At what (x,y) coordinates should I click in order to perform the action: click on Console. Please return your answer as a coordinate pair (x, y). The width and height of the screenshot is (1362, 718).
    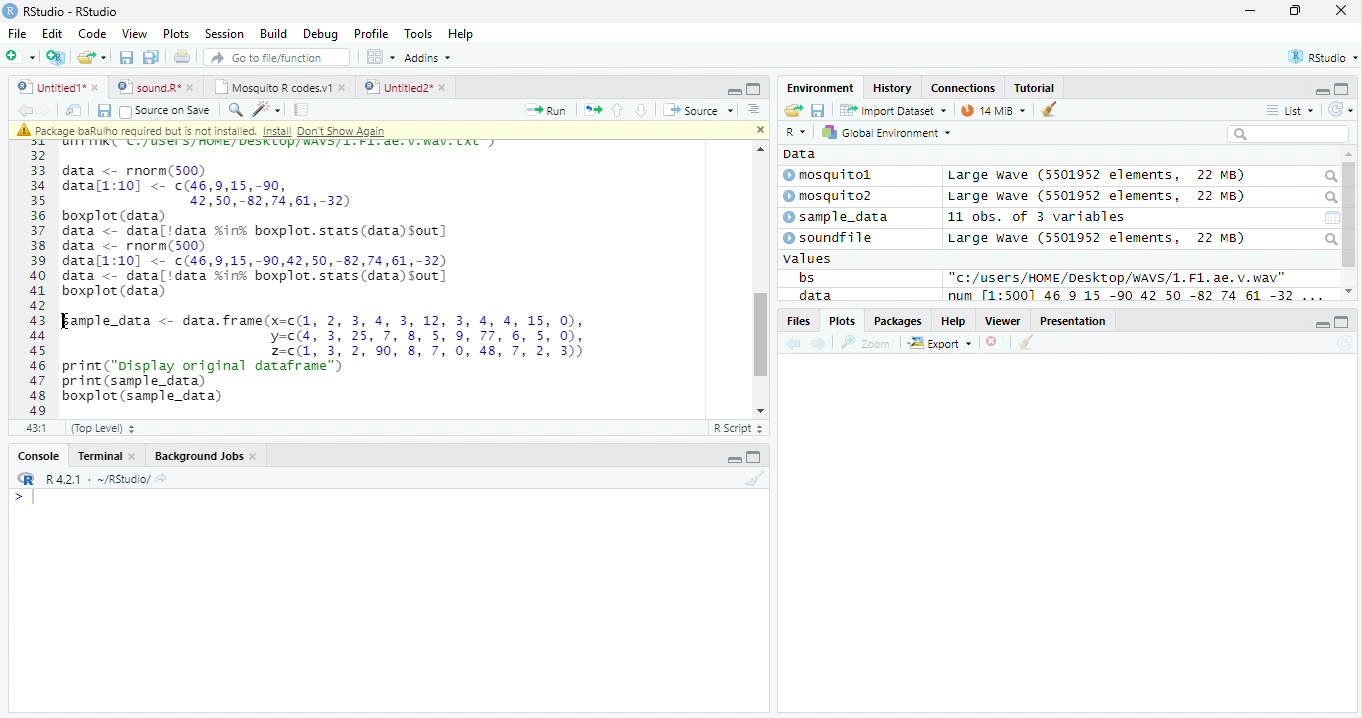
    Looking at the image, I should click on (35, 455).